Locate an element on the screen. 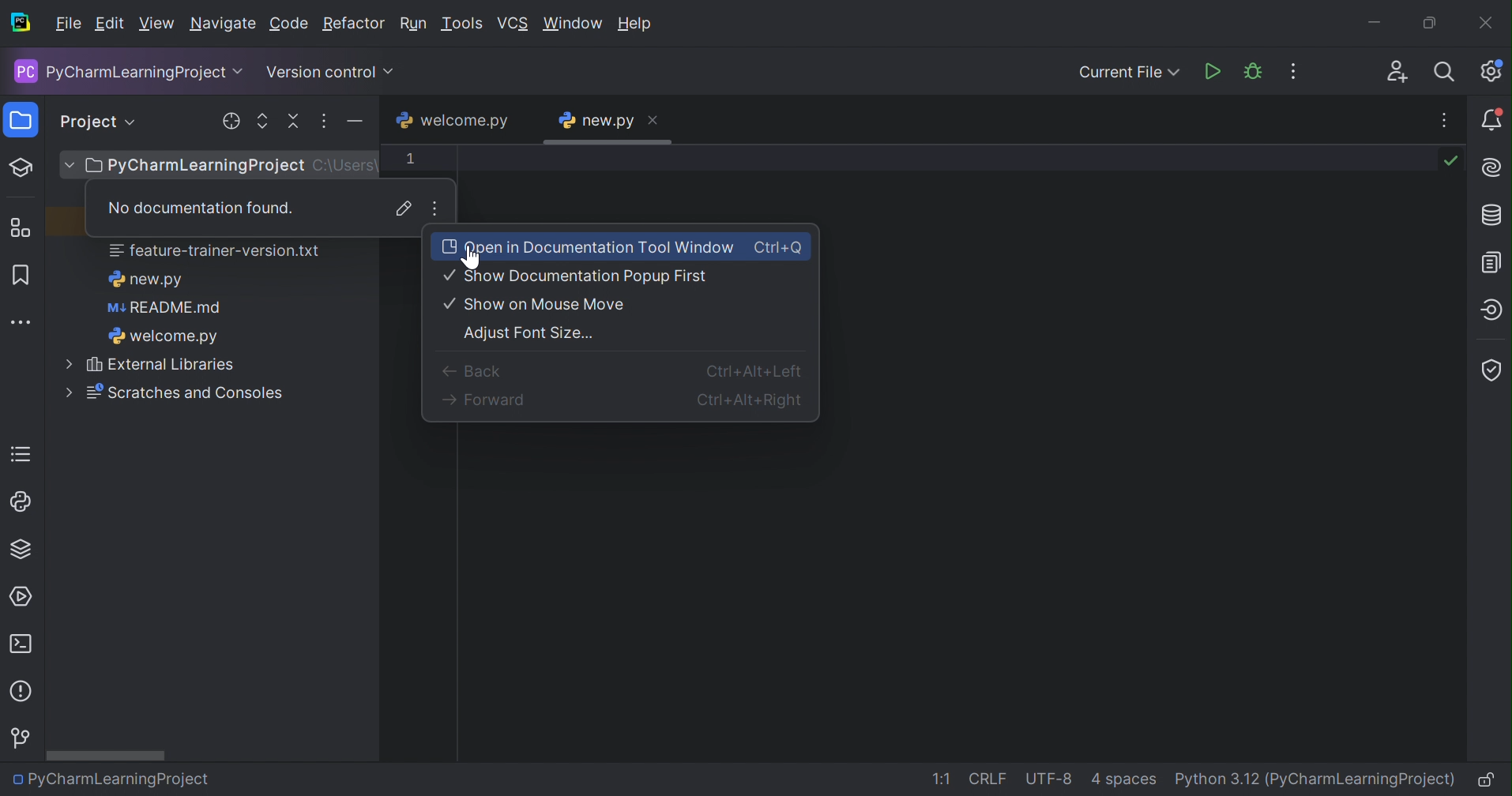 The image size is (1512, 796). C:\Users\ is located at coordinates (343, 167).